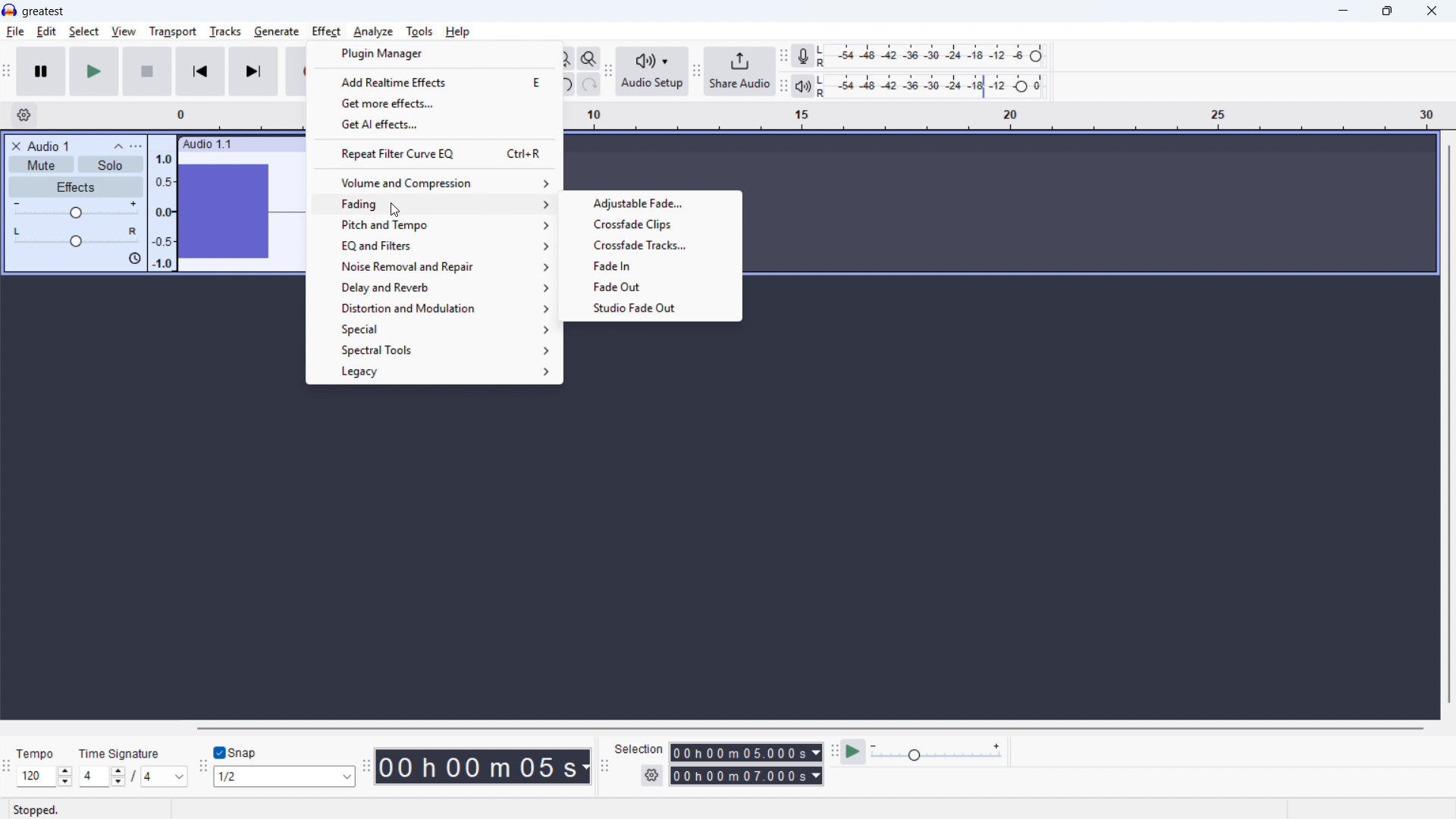 This screenshot has height=819, width=1456. What do you see at coordinates (783, 57) in the screenshot?
I see `Recording metre toolbar ` at bounding box center [783, 57].